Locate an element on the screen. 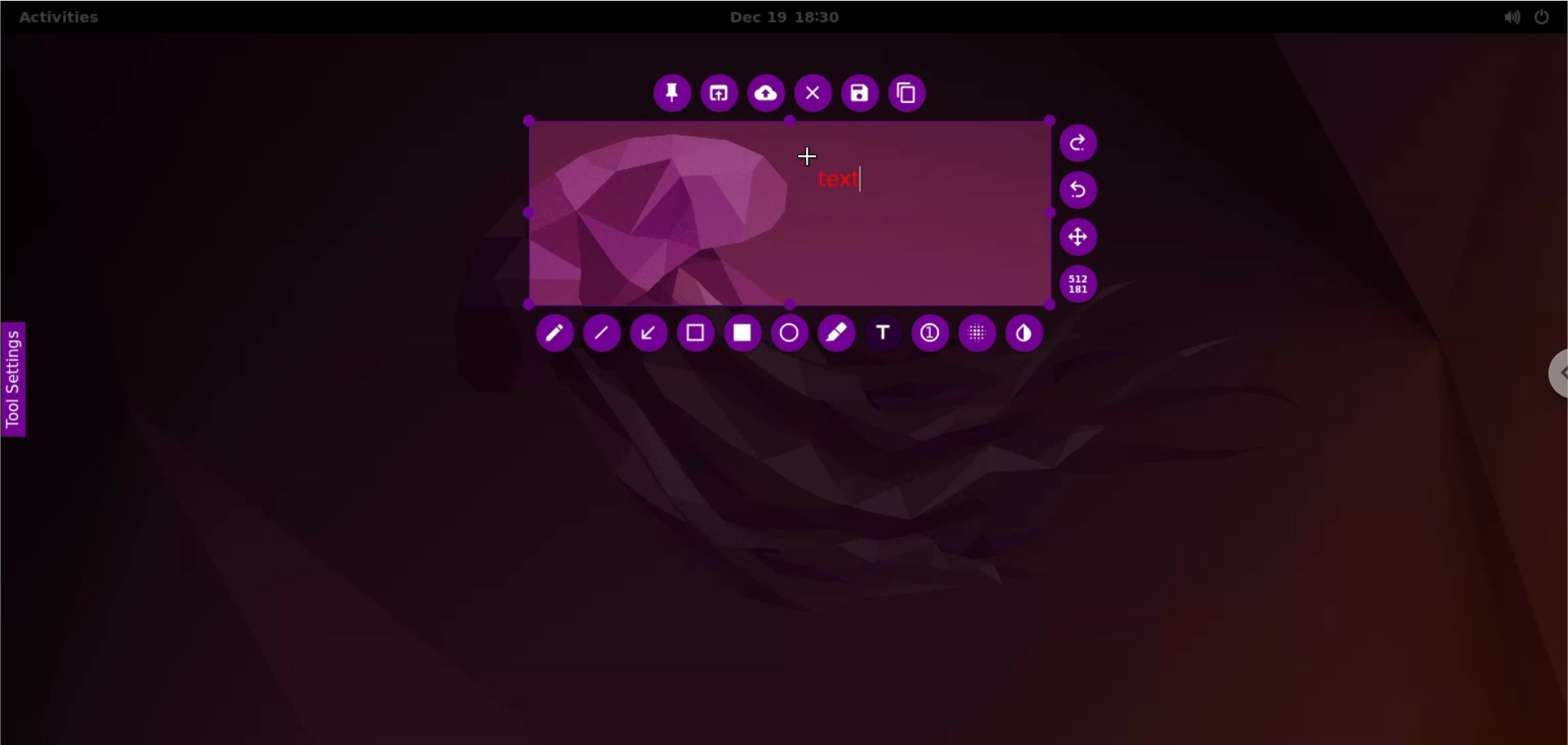 This screenshot has height=745, width=1568. pencil tool is located at coordinates (555, 336).